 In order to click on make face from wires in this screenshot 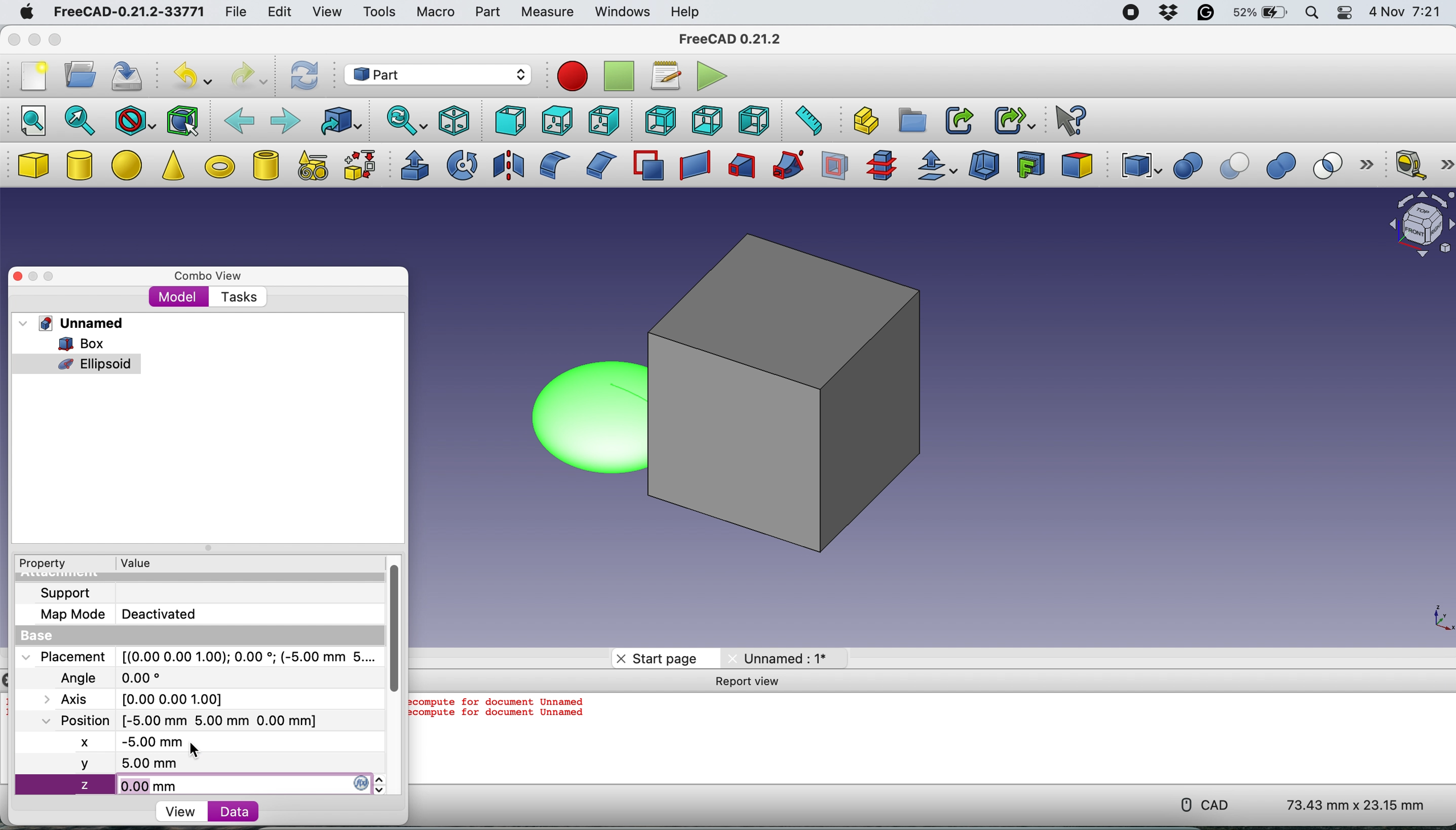, I will do `click(648, 165)`.